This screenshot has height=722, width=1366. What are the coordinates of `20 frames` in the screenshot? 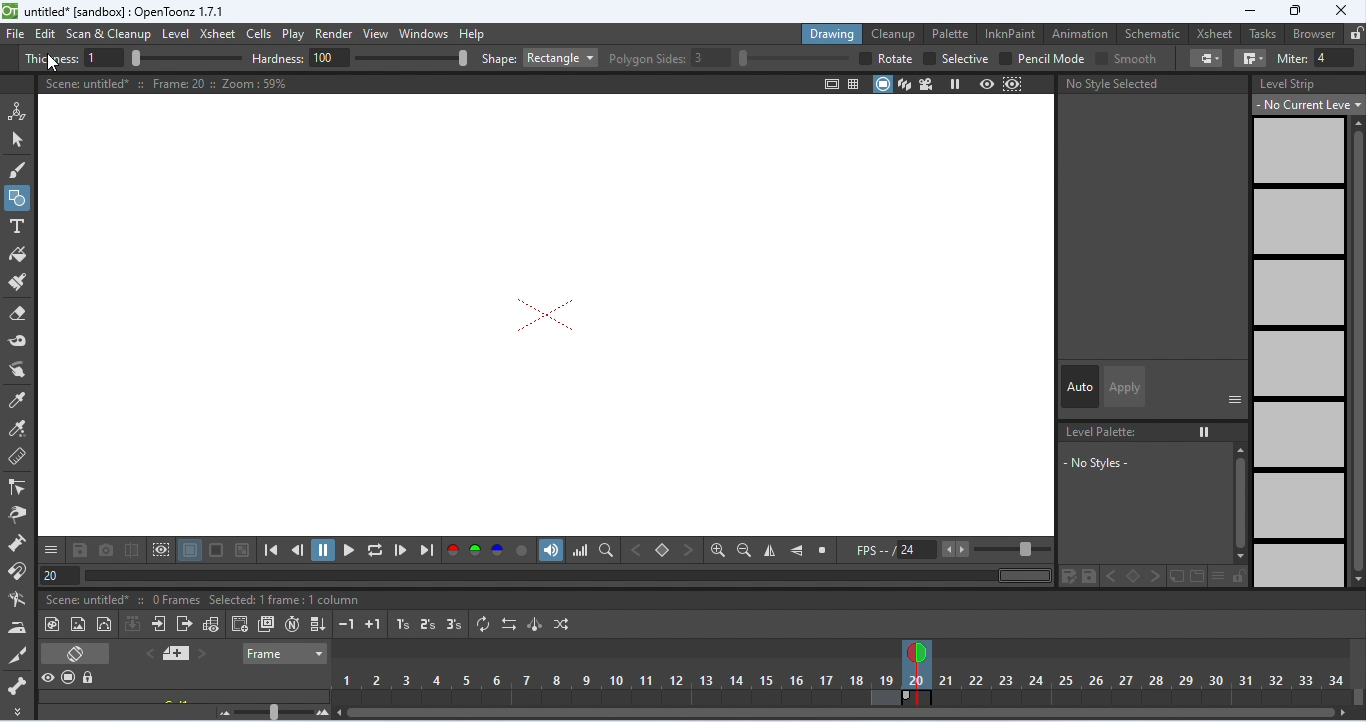 It's located at (171, 599).